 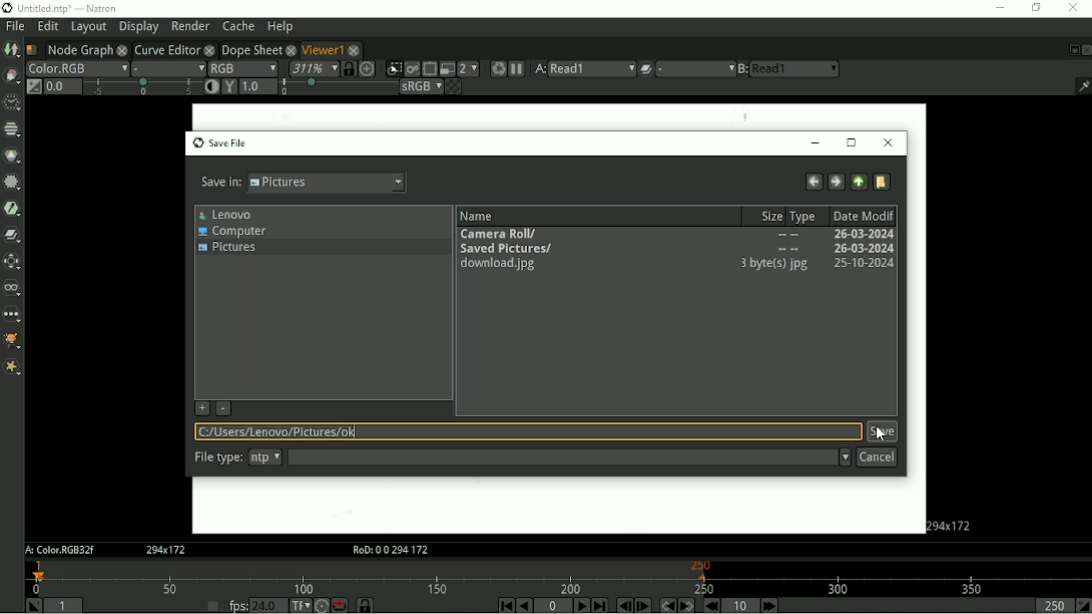 I want to click on Scale down rendered image, so click(x=470, y=68).